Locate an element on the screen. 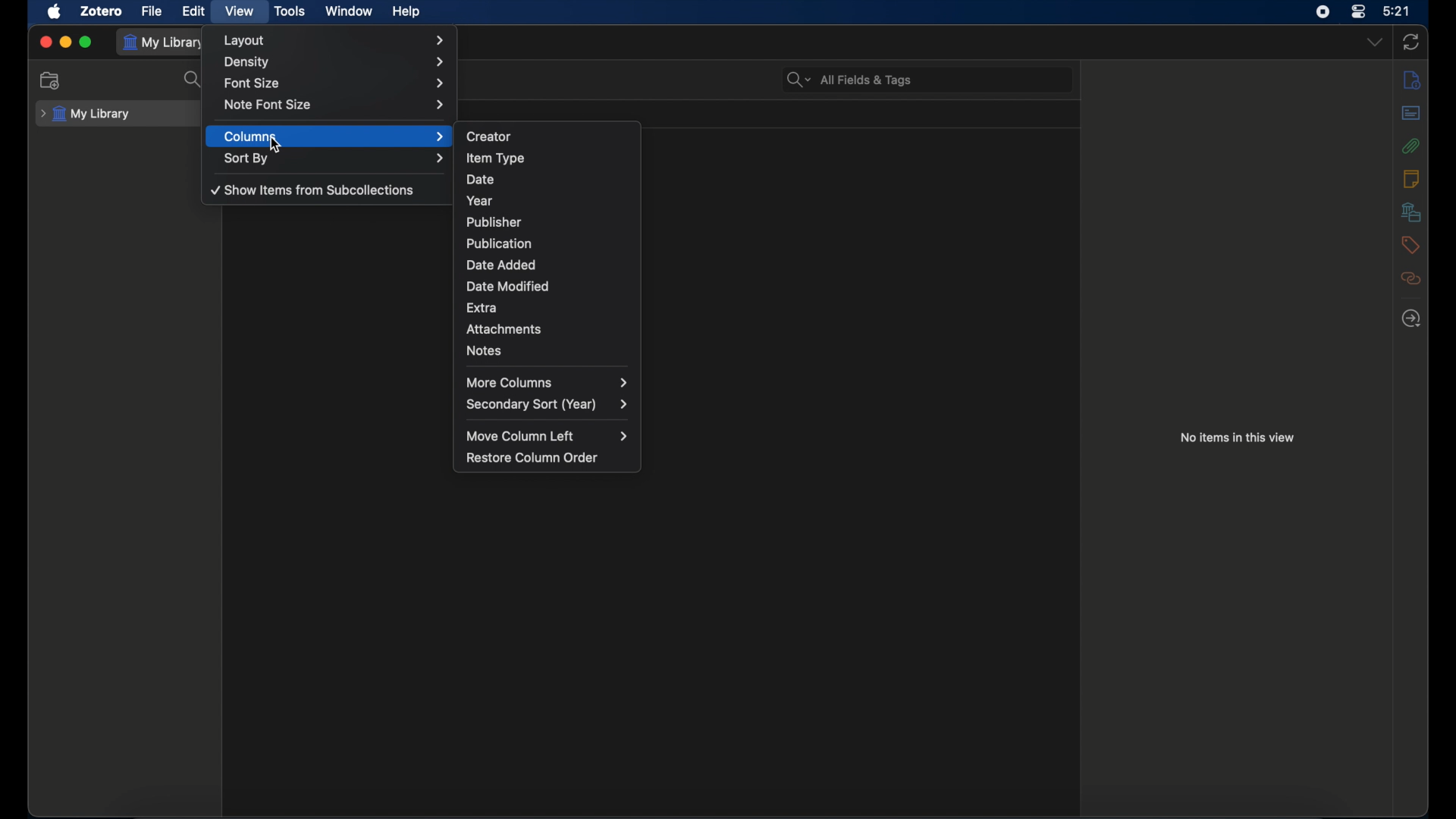 The width and height of the screenshot is (1456, 819). window is located at coordinates (349, 11).